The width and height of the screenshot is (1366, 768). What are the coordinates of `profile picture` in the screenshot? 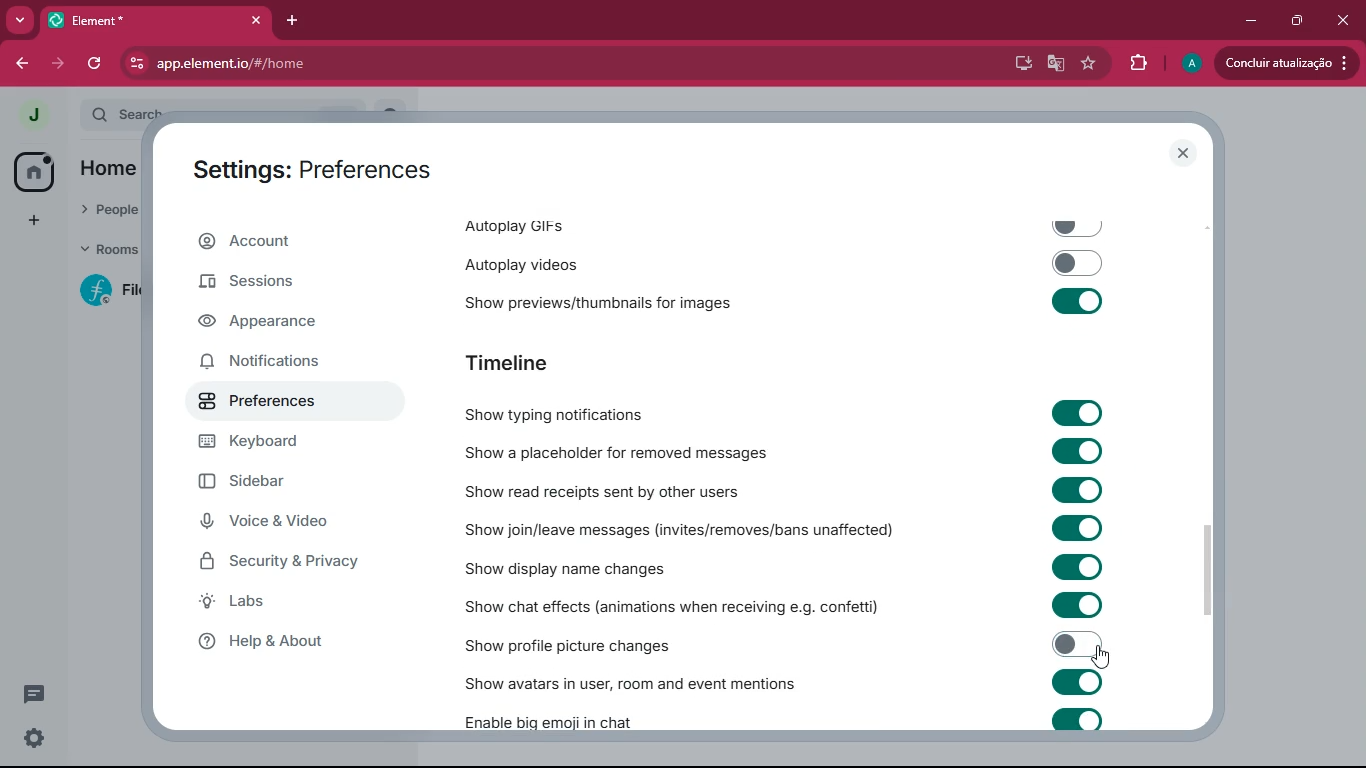 It's located at (1190, 64).